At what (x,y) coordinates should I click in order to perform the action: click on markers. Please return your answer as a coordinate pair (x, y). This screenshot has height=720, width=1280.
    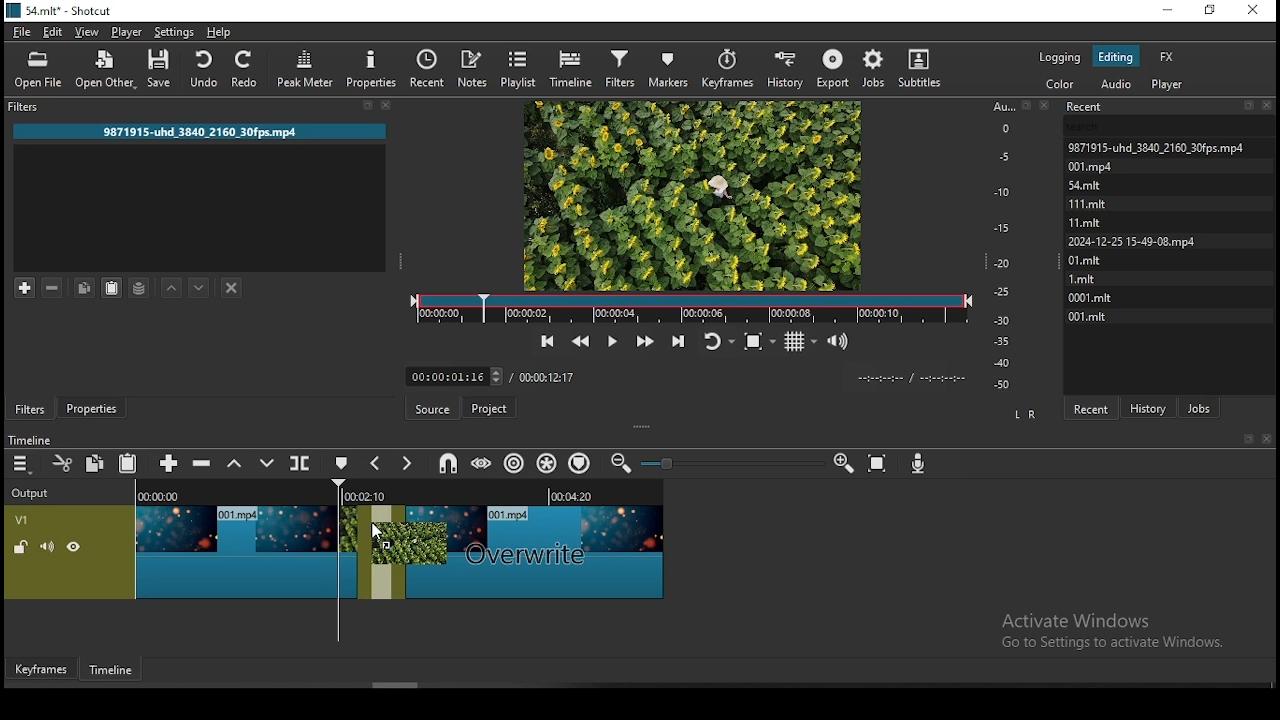
    Looking at the image, I should click on (667, 68).